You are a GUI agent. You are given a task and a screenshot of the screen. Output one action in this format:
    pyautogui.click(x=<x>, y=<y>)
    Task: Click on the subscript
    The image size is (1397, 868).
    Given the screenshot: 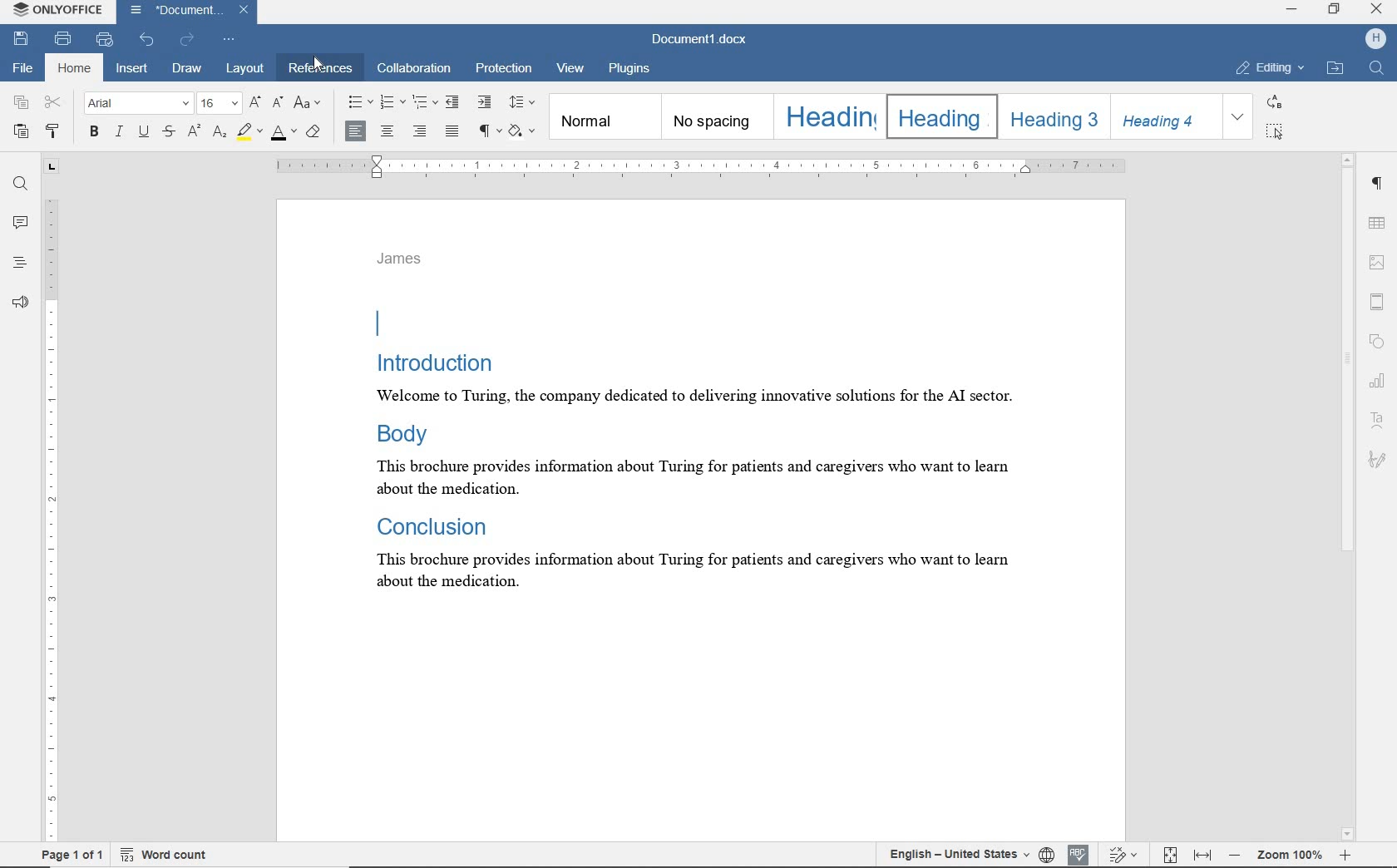 What is the action you would take?
    pyautogui.click(x=194, y=131)
    